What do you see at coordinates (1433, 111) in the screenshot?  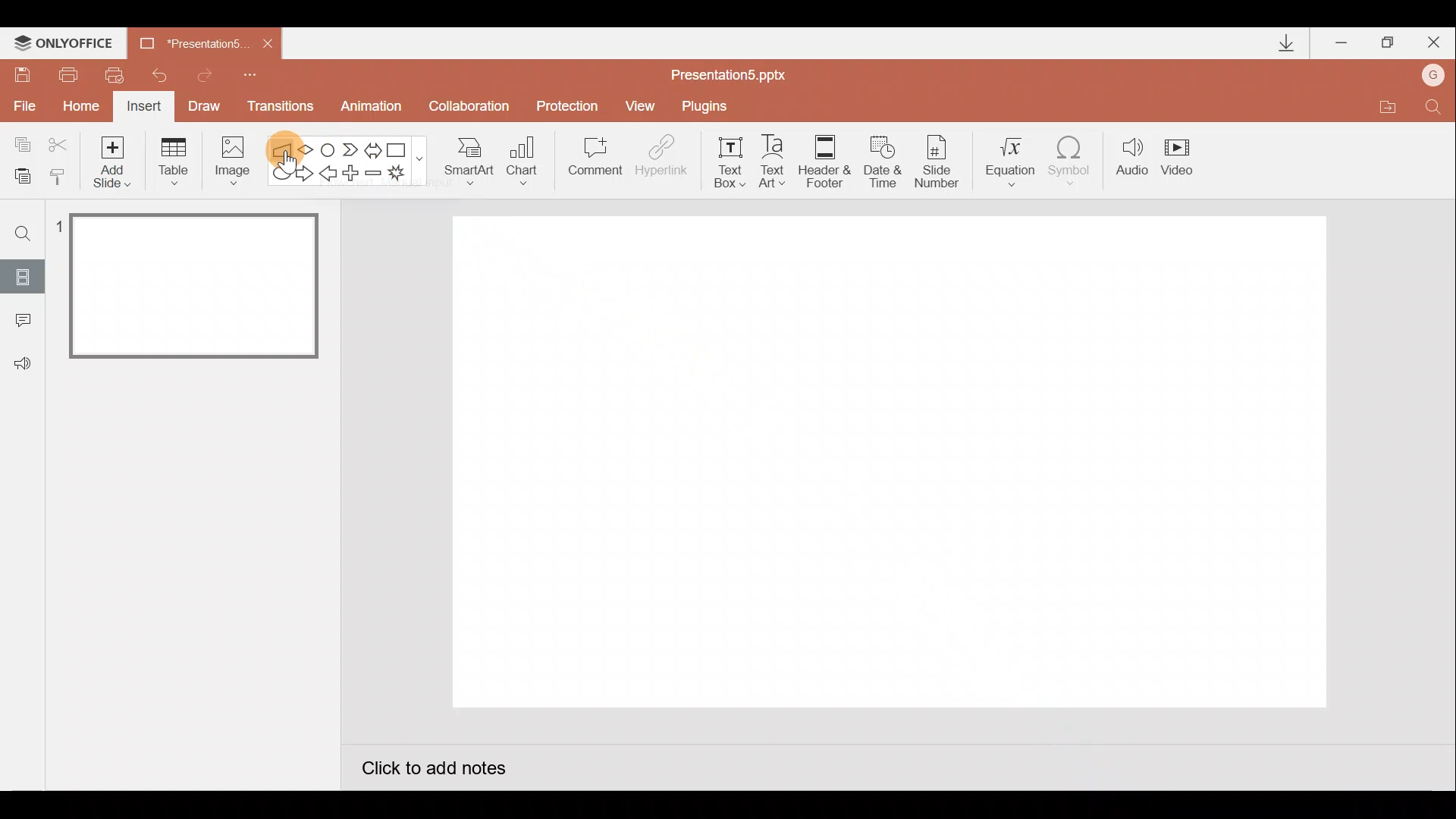 I see `Find` at bounding box center [1433, 111].